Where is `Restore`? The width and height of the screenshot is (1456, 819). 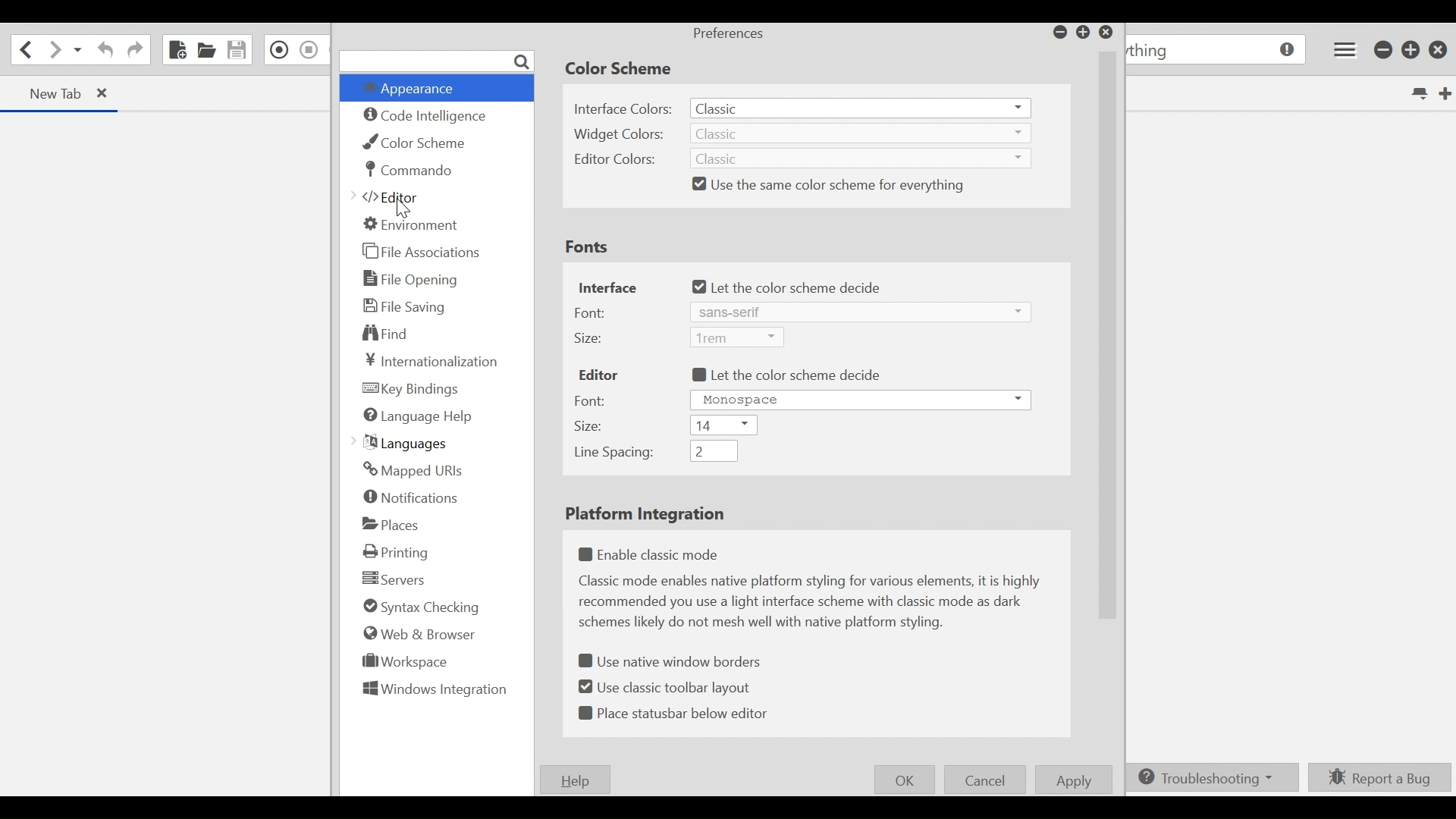 Restore is located at coordinates (1412, 49).